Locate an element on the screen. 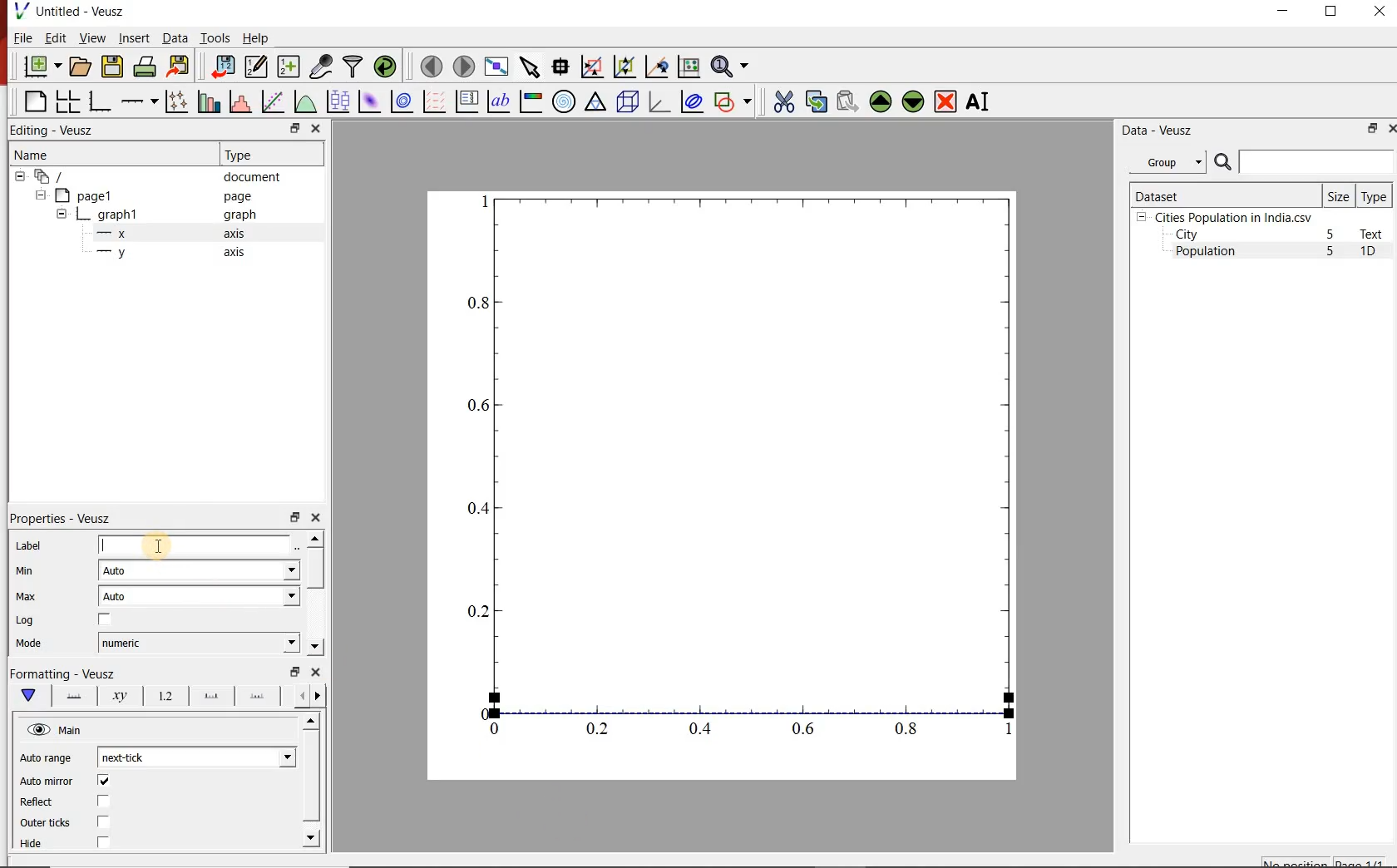 This screenshot has width=1397, height=868. restore is located at coordinates (294, 672).